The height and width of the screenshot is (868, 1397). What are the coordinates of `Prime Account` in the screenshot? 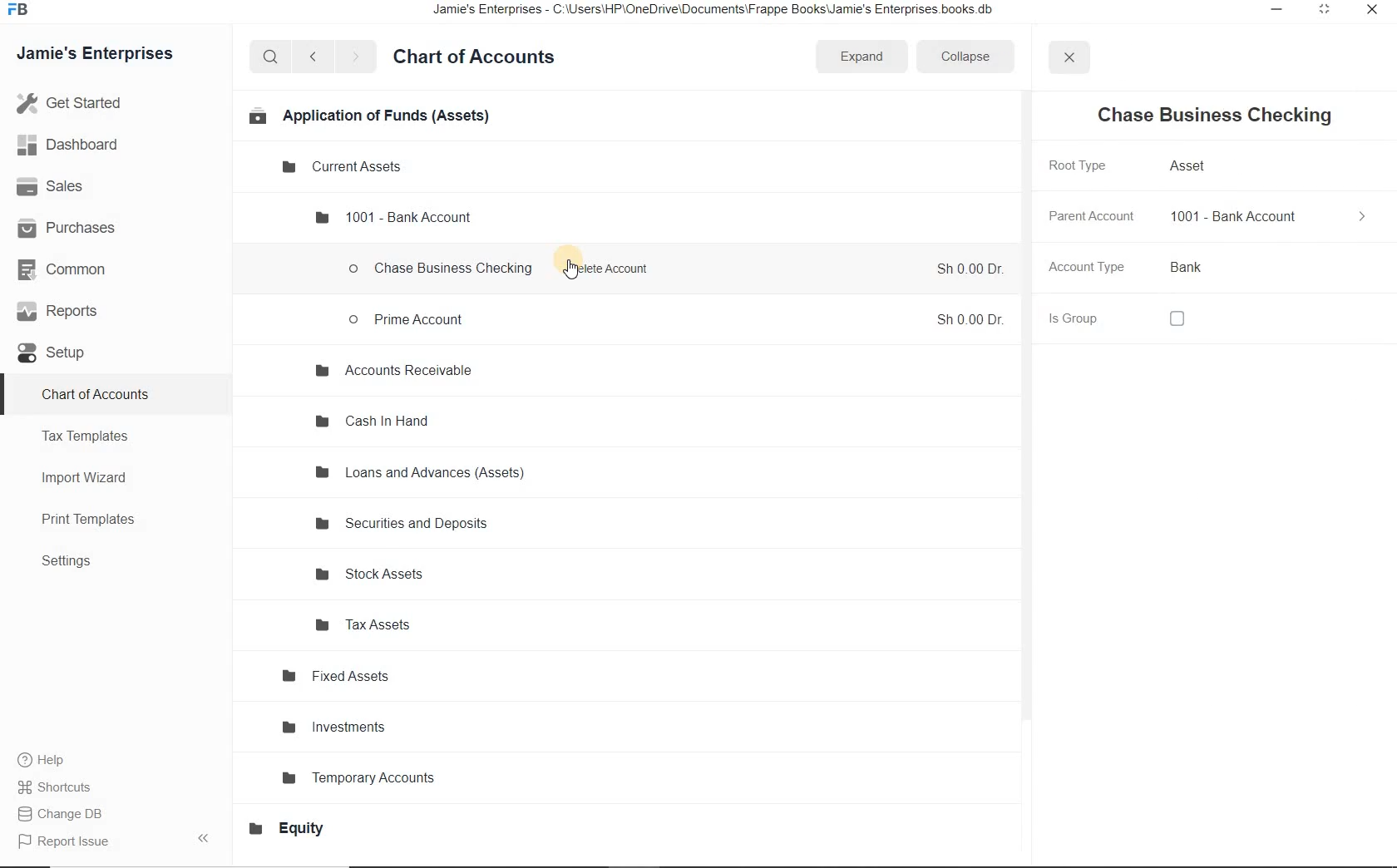 It's located at (409, 318).